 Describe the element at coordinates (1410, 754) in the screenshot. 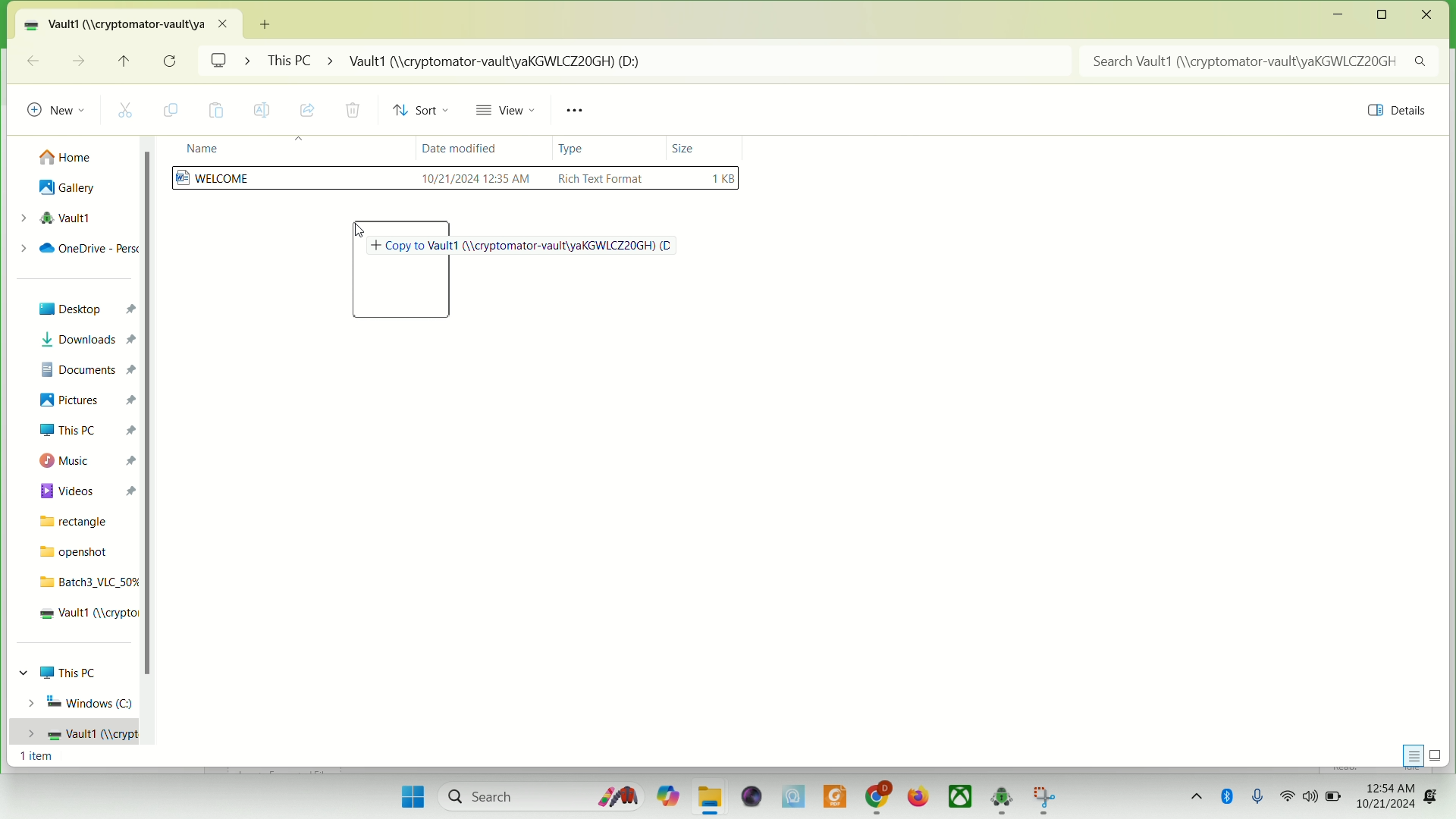

I see `display information` at that location.